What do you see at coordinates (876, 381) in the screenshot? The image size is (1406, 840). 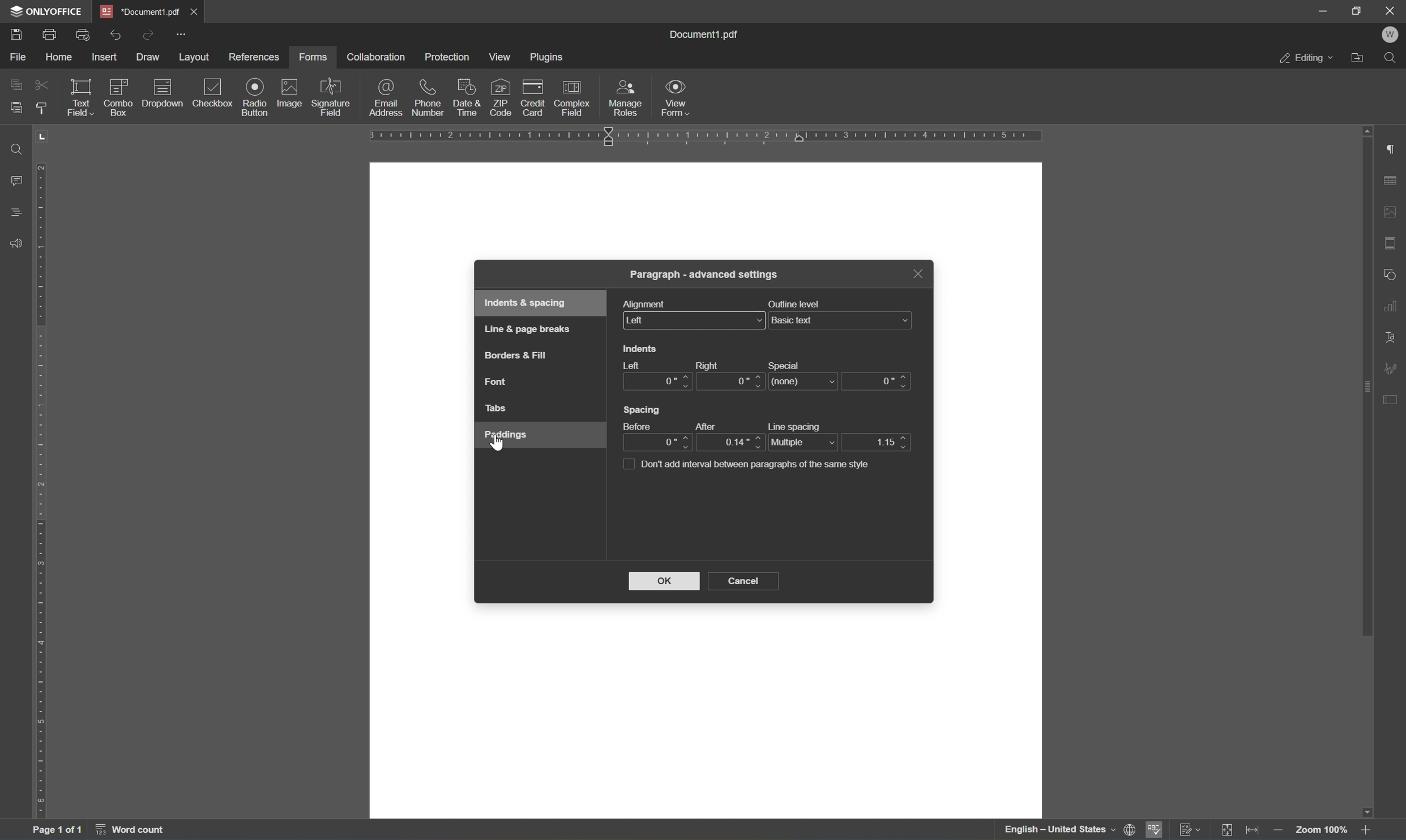 I see `0` at bounding box center [876, 381].